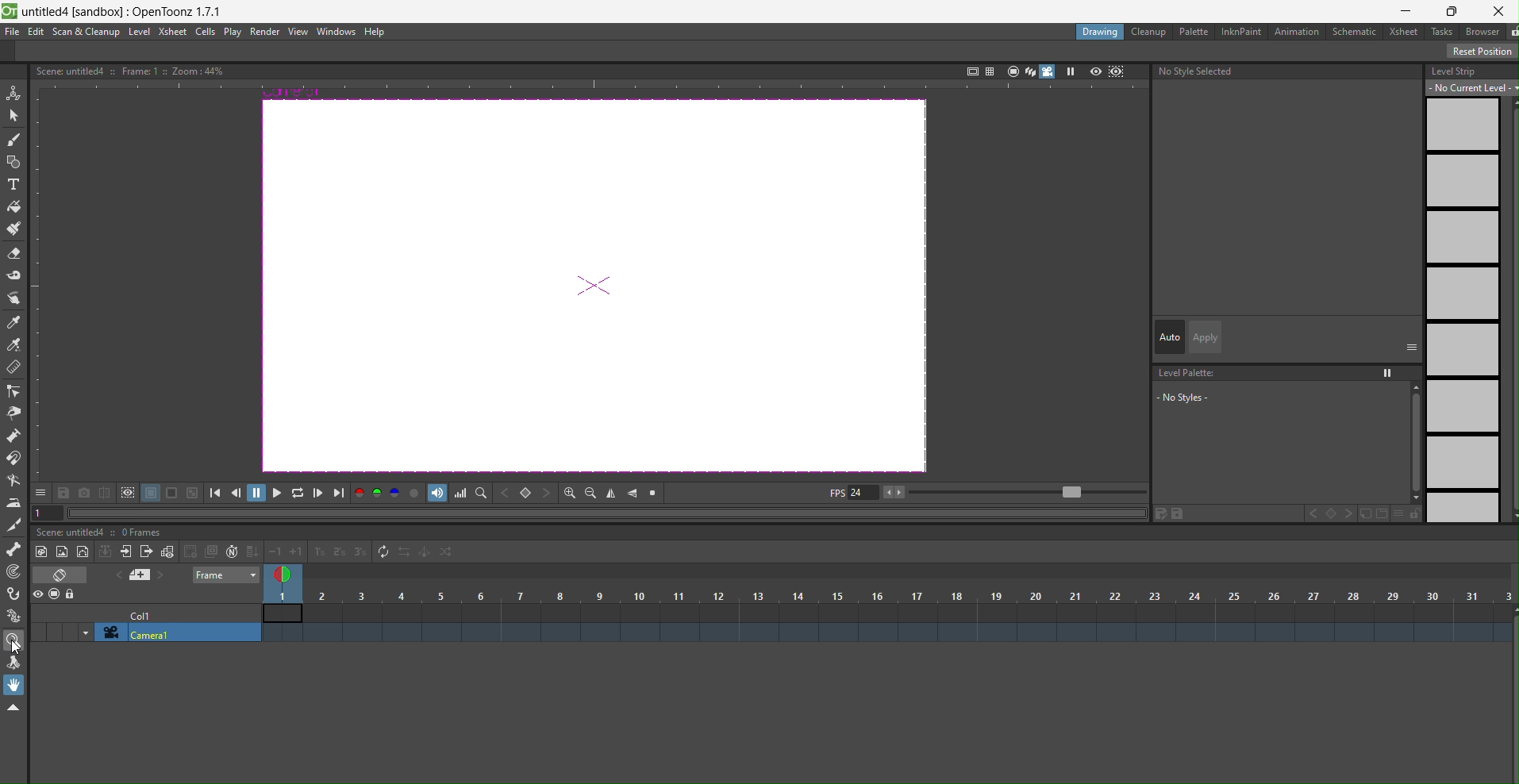 The height and width of the screenshot is (784, 1519). I want to click on edit, so click(37, 31).